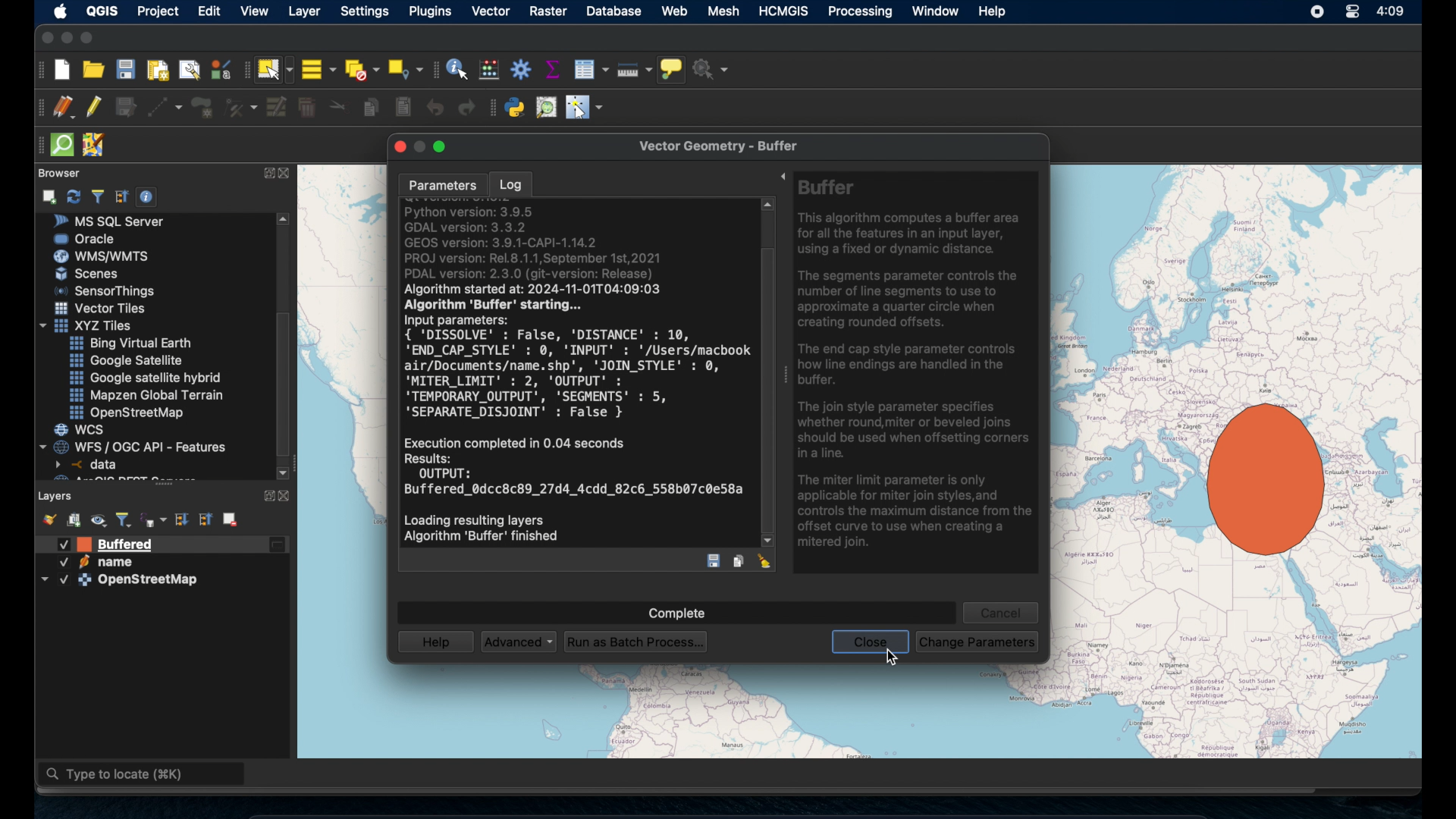  I want to click on layers, so click(56, 494).